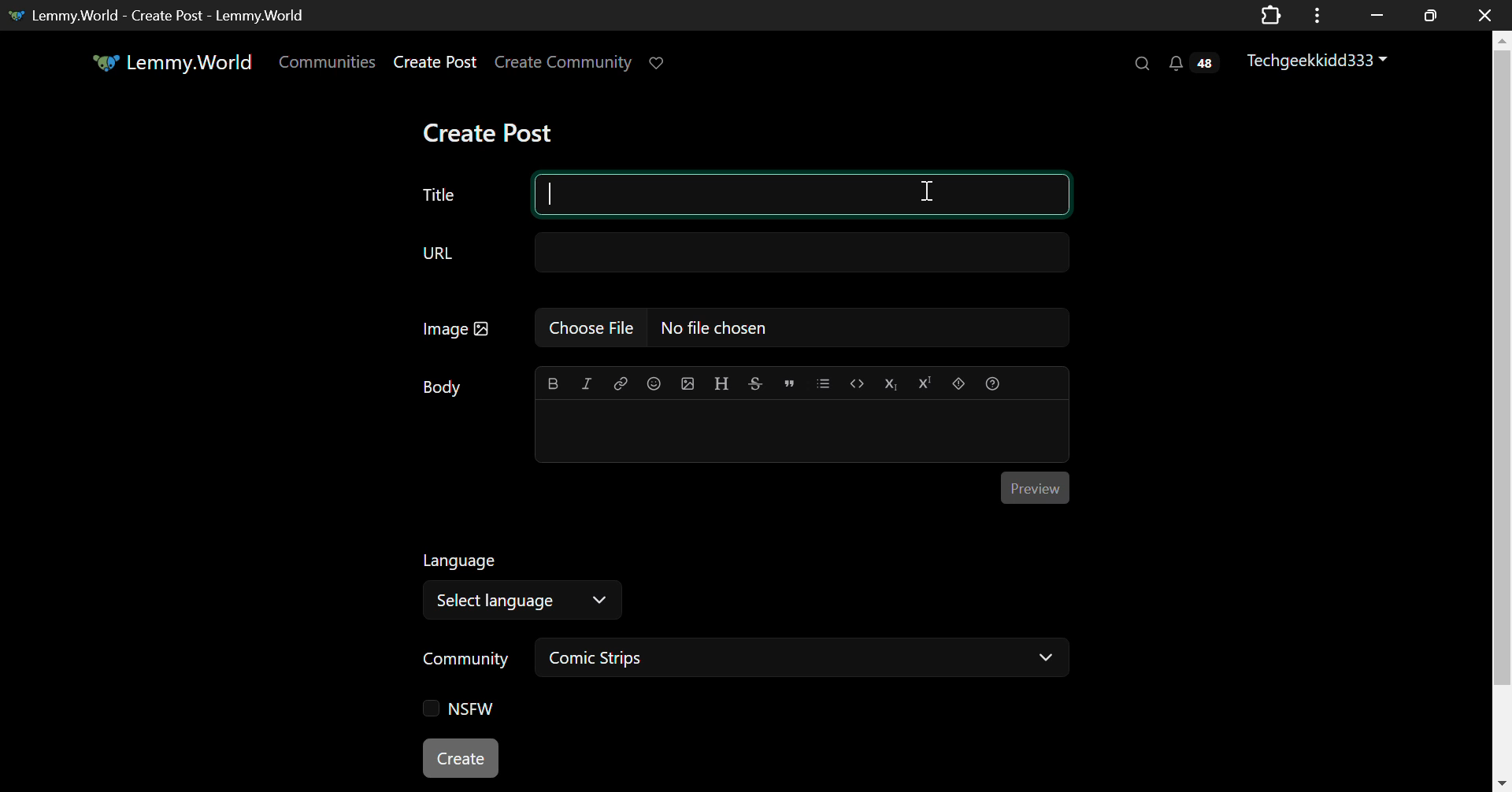 This screenshot has width=1512, height=792. Describe the element at coordinates (720, 384) in the screenshot. I see `header` at that location.